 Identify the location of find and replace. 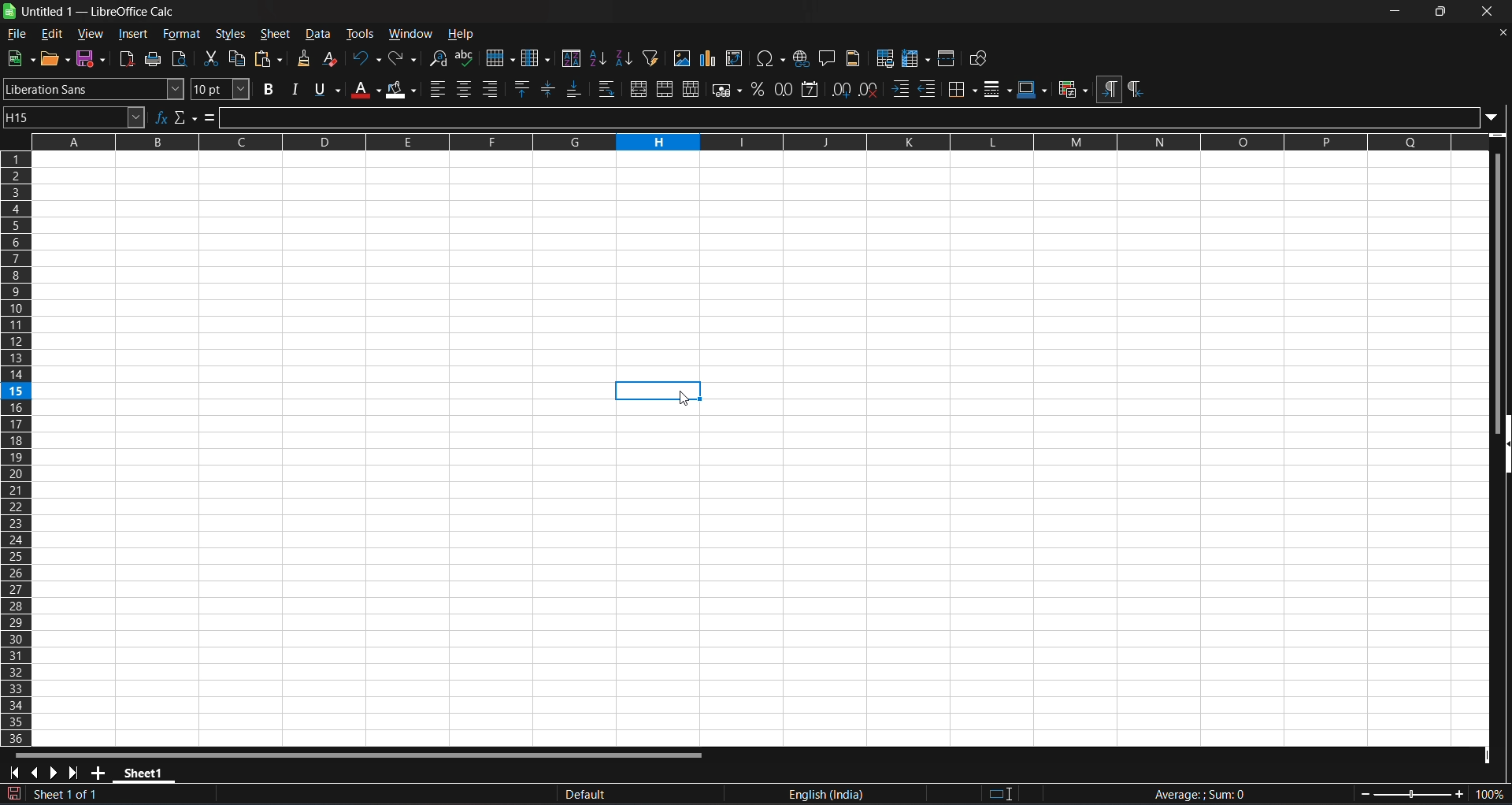
(439, 59).